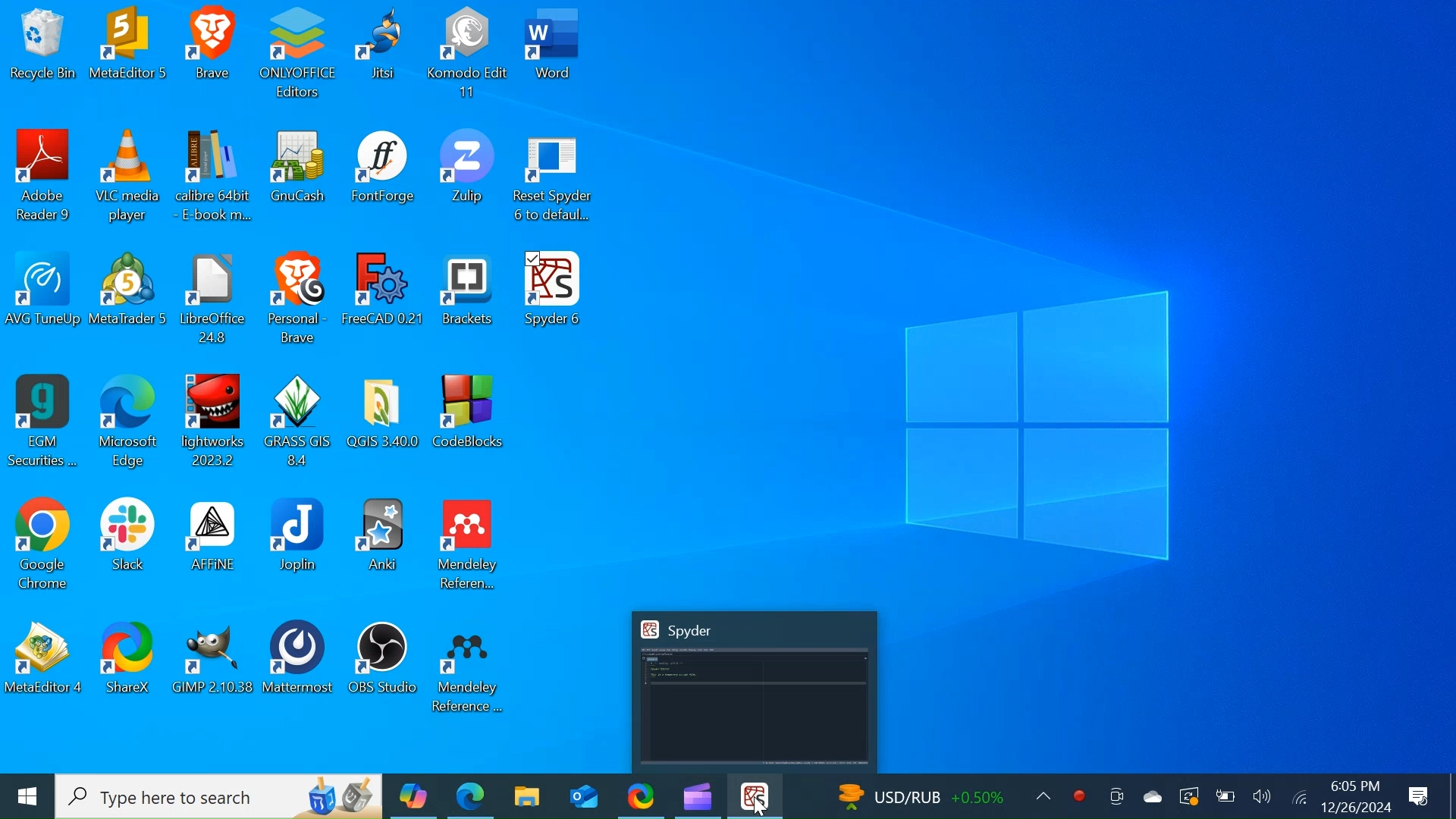 This screenshot has height=819, width=1456. What do you see at coordinates (471, 425) in the screenshot?
I see `CodeBlocks Desktop Icon` at bounding box center [471, 425].